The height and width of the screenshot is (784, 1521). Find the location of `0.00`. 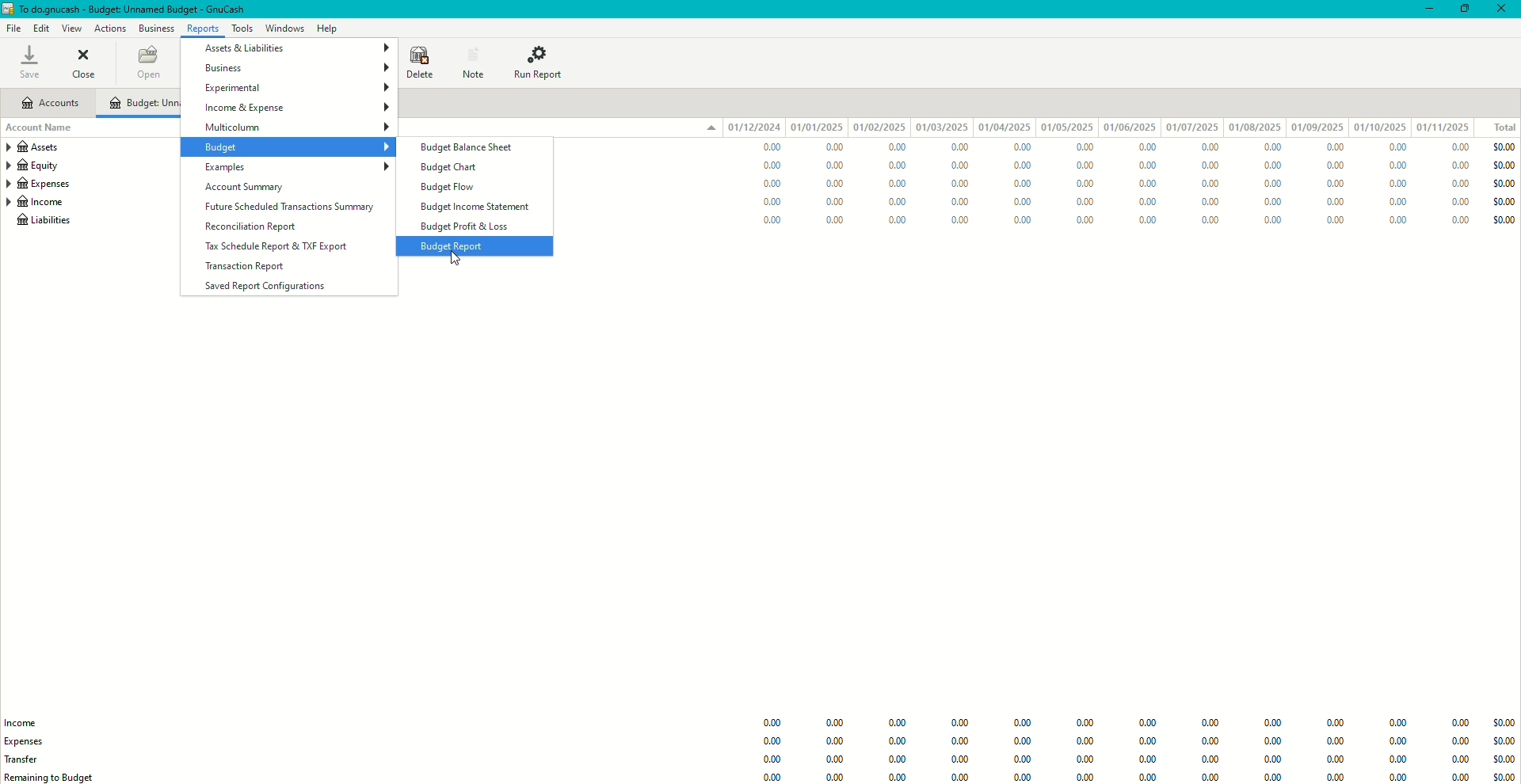

0.00 is located at coordinates (1395, 724).